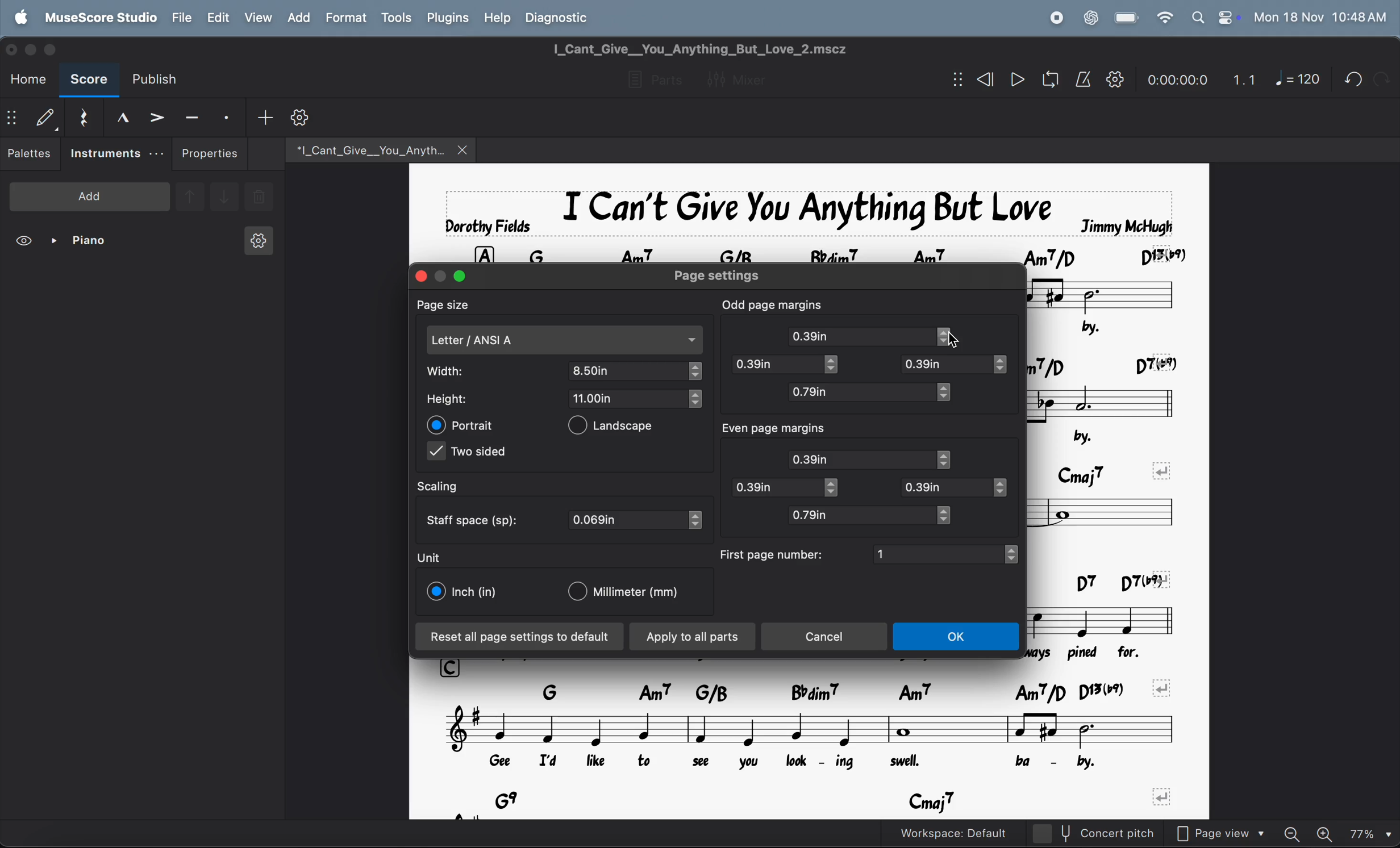  I want to click on tenuto, so click(192, 115).